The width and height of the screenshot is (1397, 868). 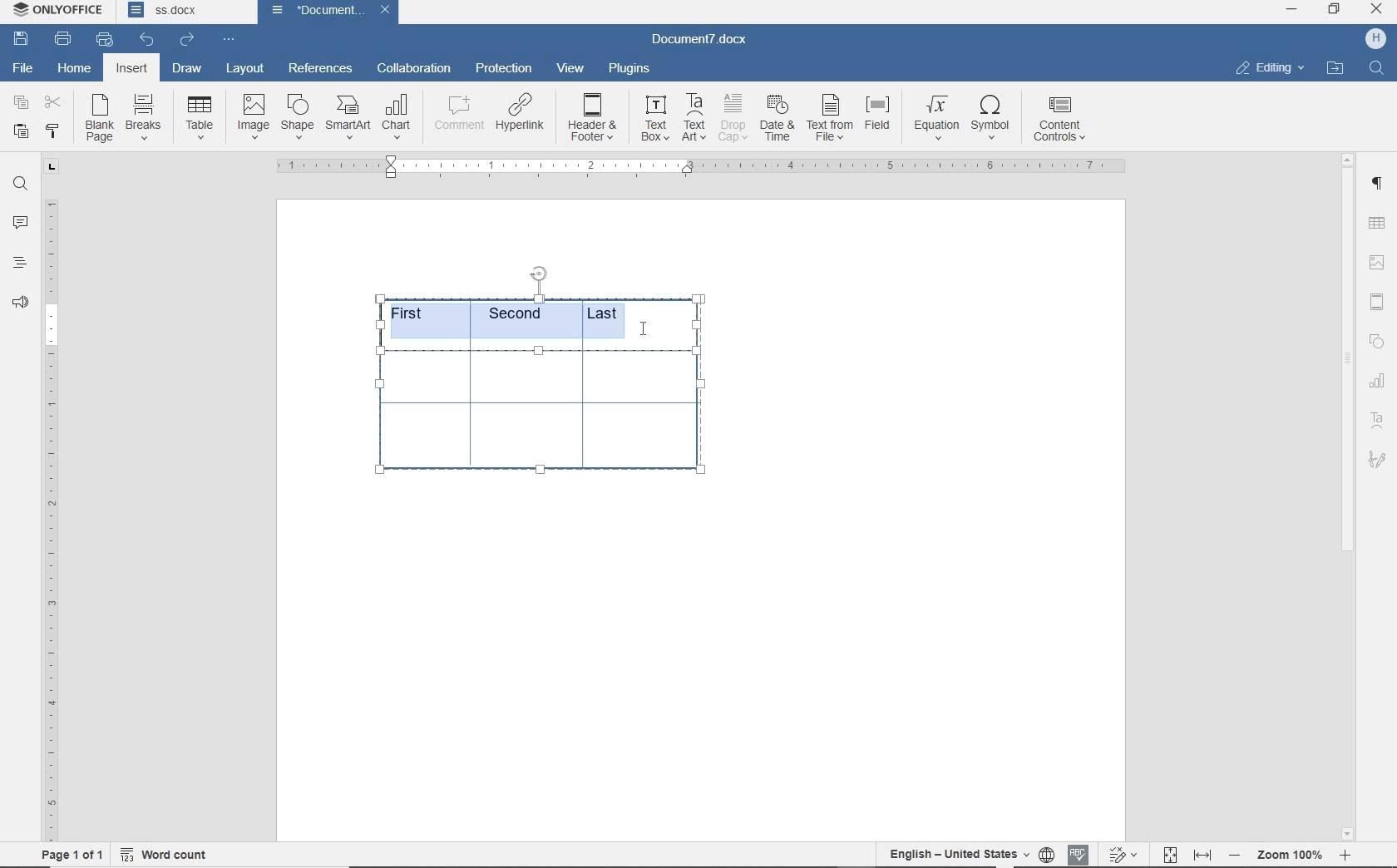 What do you see at coordinates (131, 70) in the screenshot?
I see `insert` at bounding box center [131, 70].